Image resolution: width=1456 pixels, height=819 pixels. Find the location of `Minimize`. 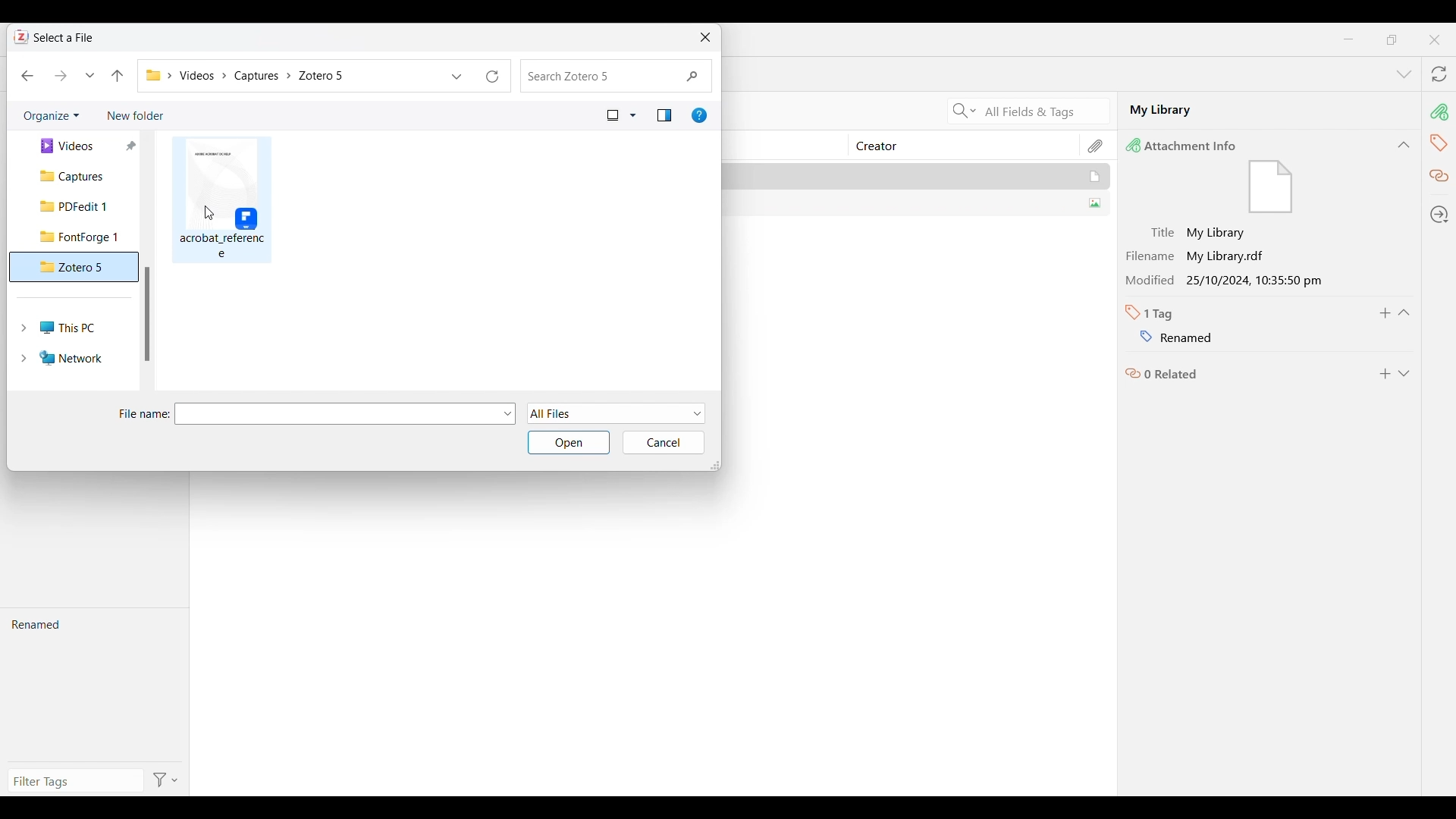

Minimize is located at coordinates (1348, 39).